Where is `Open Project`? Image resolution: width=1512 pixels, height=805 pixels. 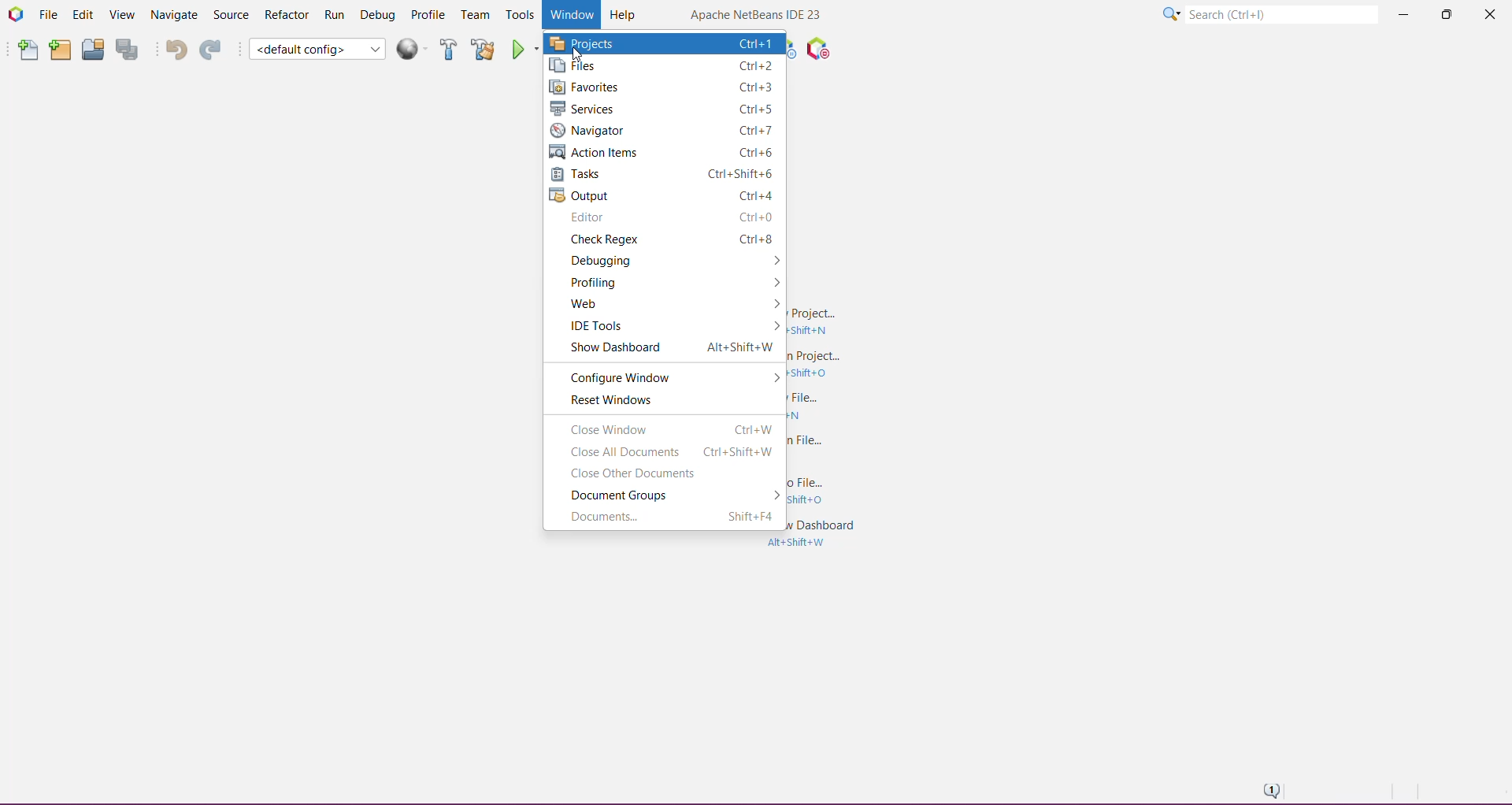 Open Project is located at coordinates (92, 49).